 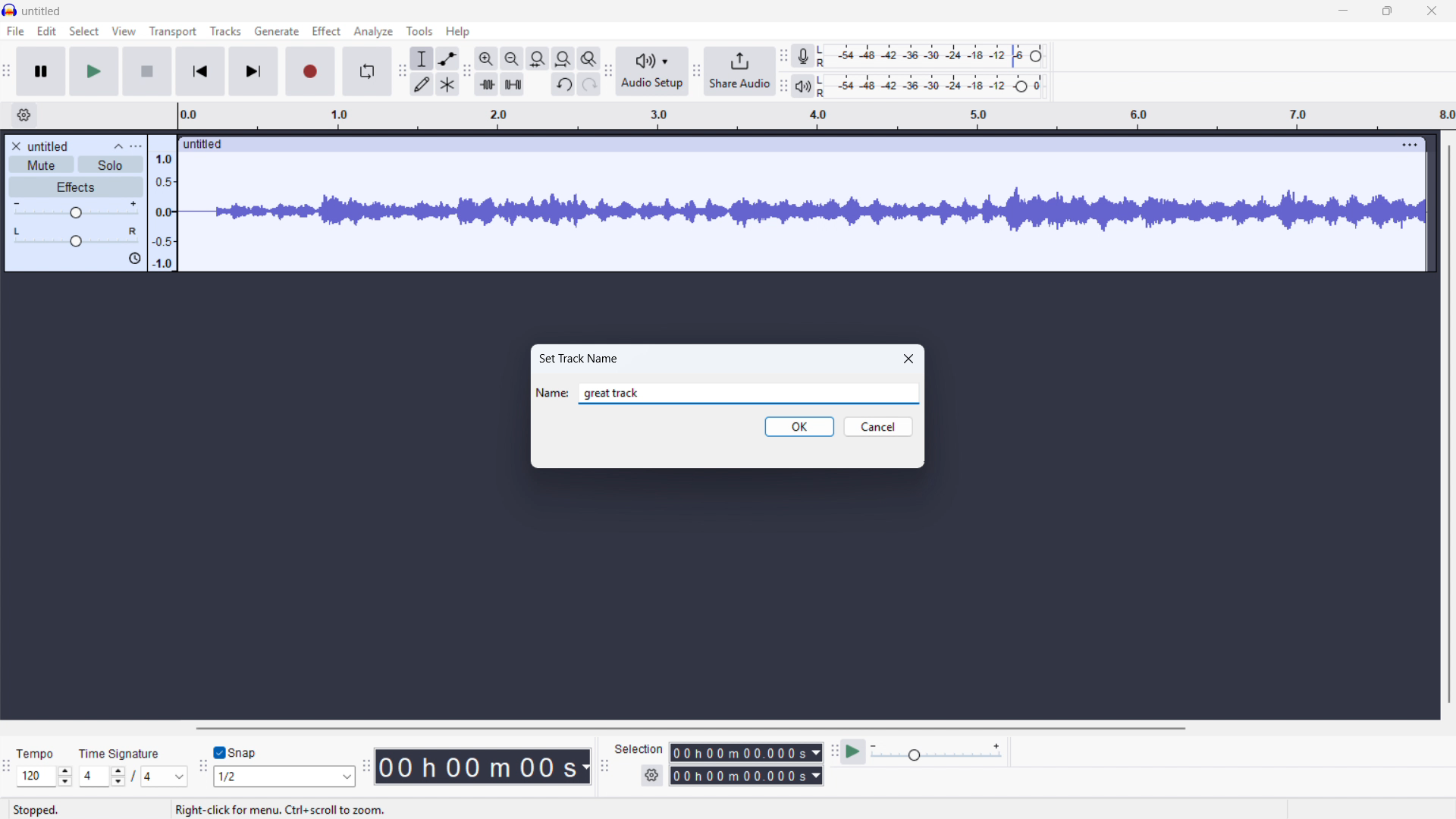 I want to click on Recording metre toolbar , so click(x=784, y=56).